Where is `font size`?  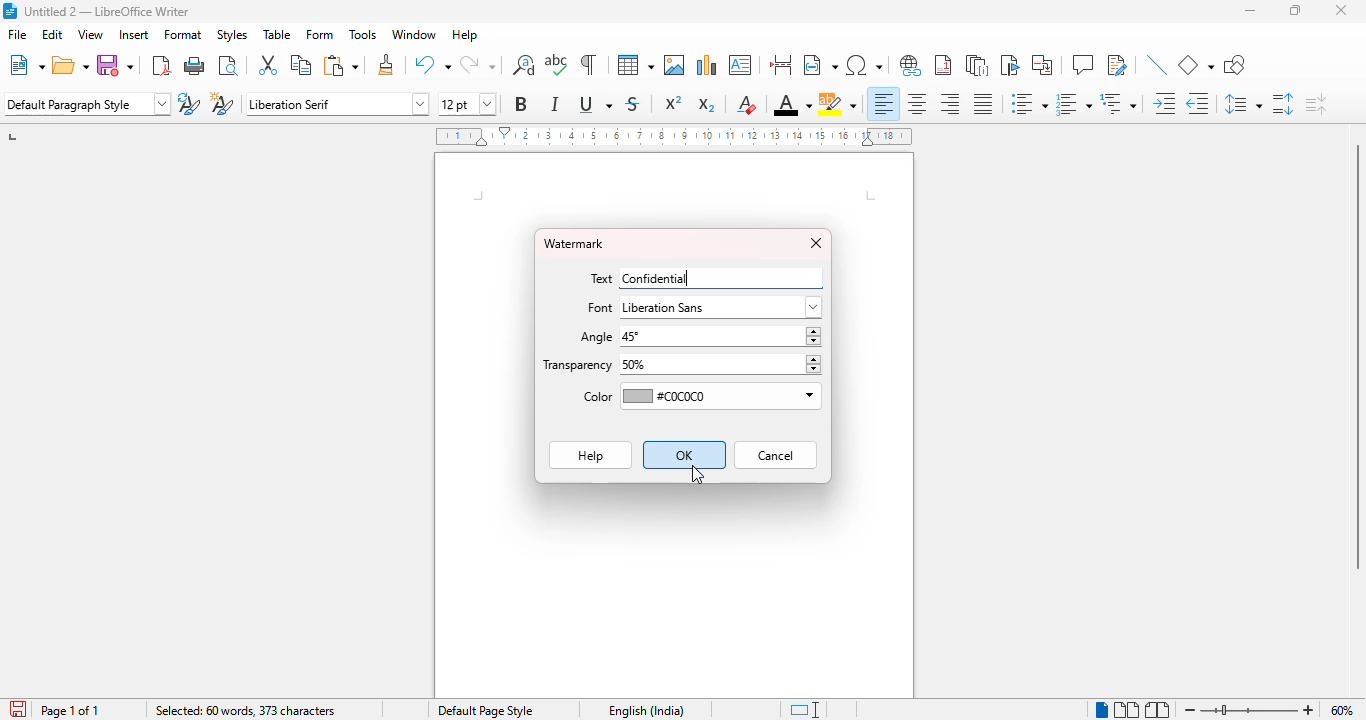 font size is located at coordinates (466, 104).